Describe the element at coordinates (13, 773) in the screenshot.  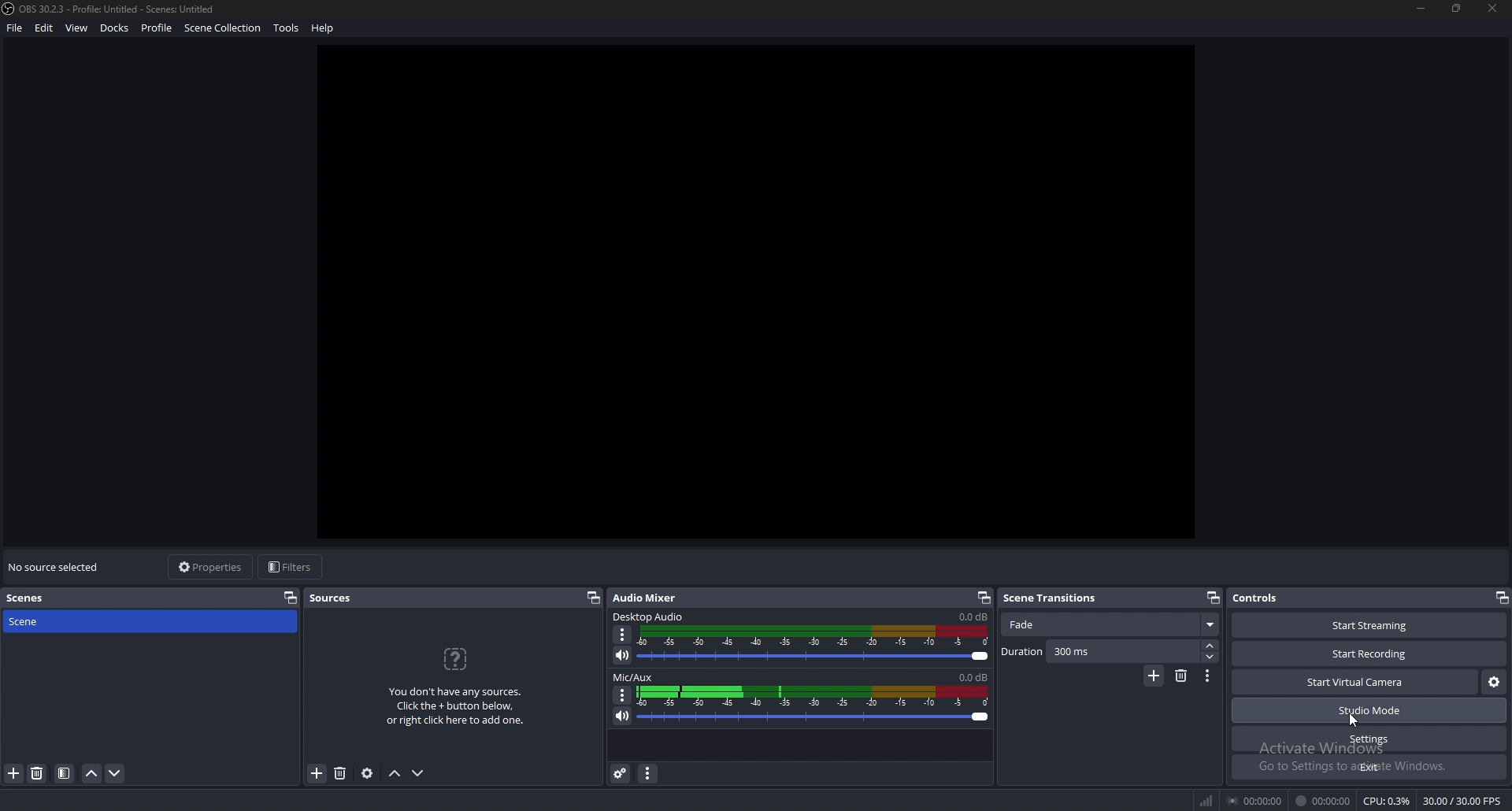
I see `add scene` at that location.